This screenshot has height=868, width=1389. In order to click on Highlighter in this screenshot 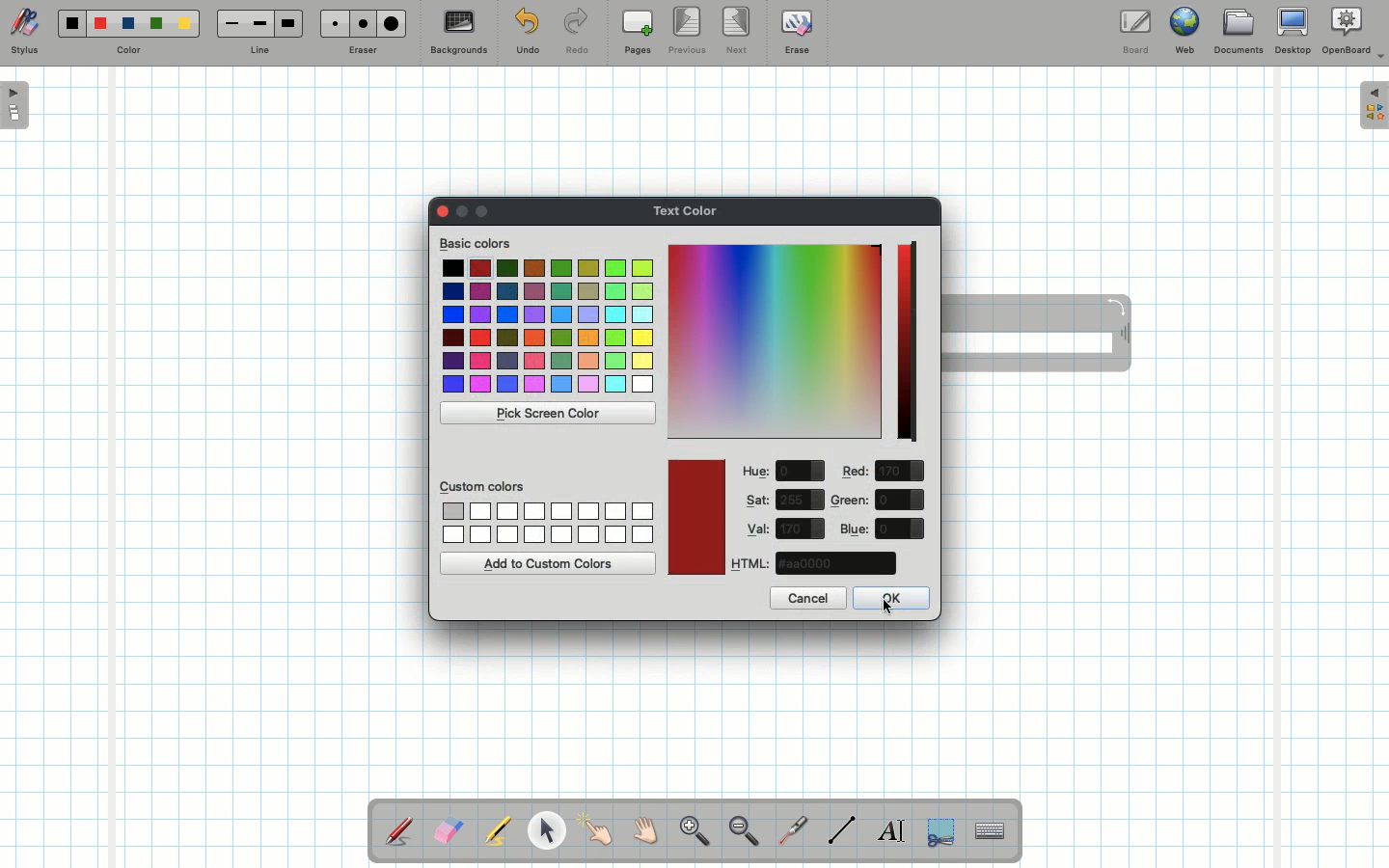, I will do `click(496, 832)`.